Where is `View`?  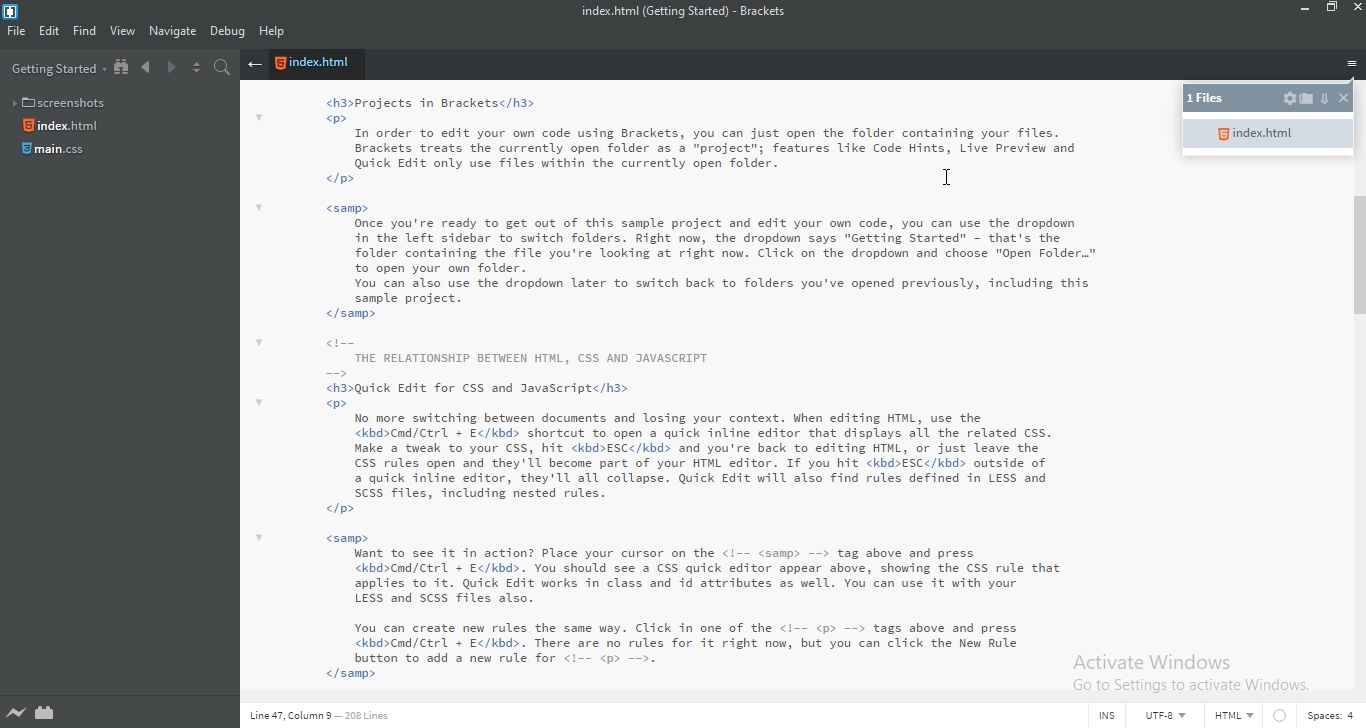 View is located at coordinates (123, 32).